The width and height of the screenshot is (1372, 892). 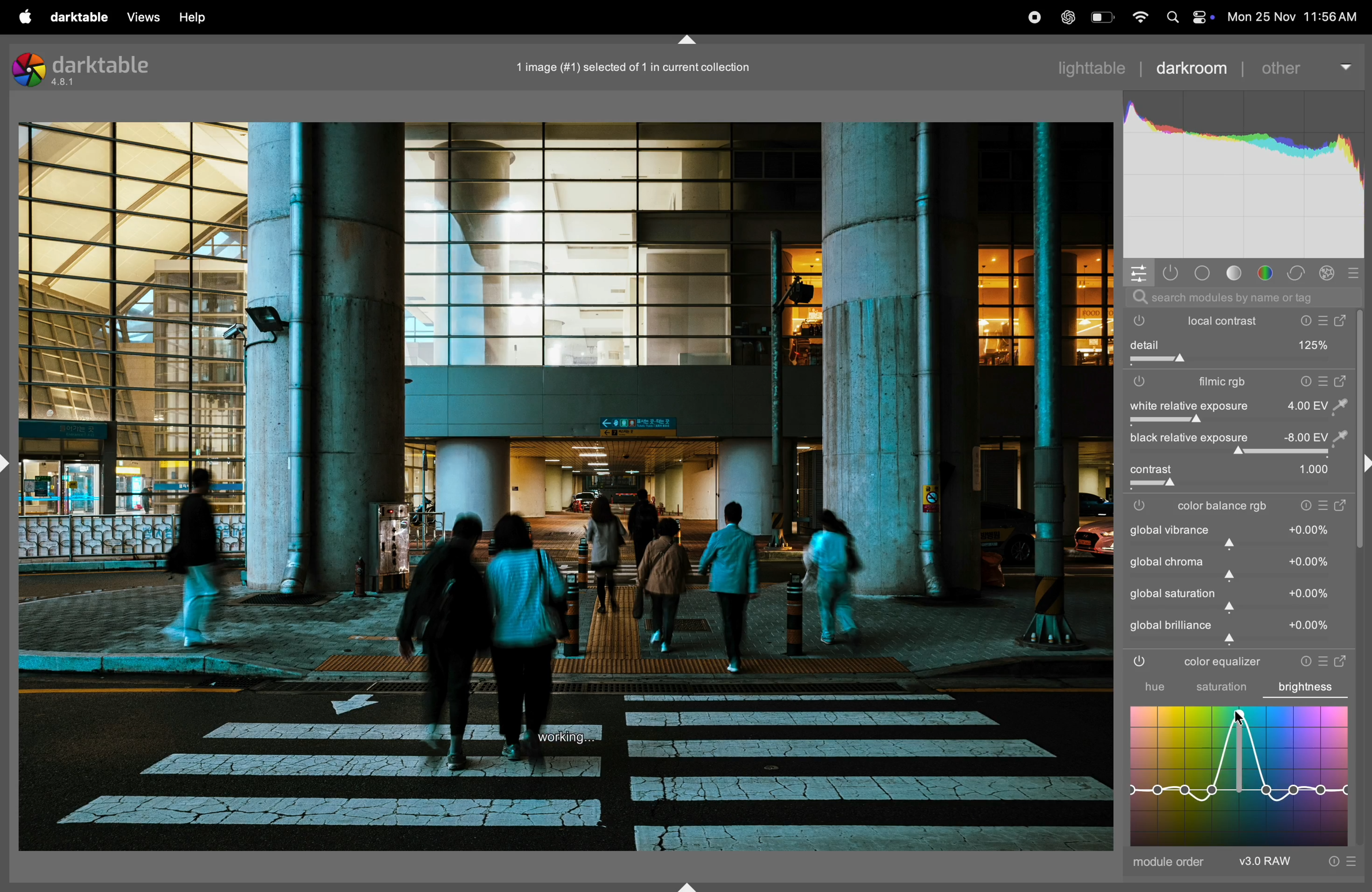 I want to click on slider, so click(x=1237, y=609).